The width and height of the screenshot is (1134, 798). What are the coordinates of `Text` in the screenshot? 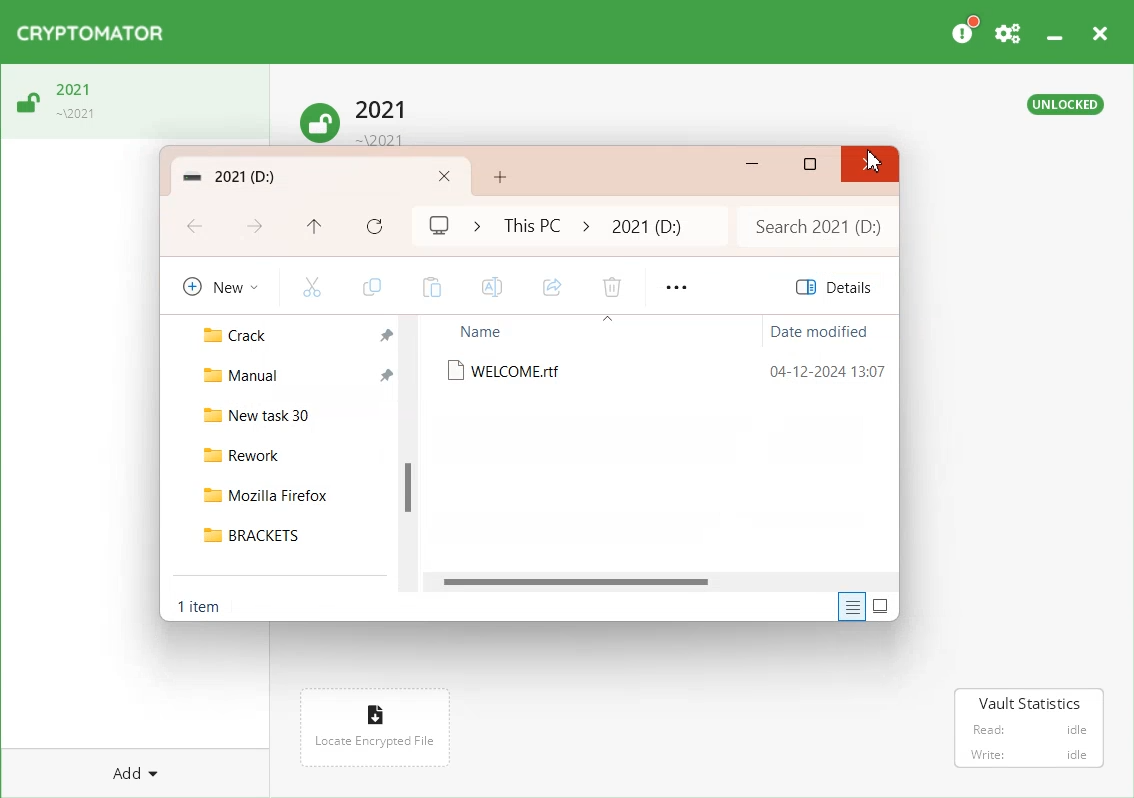 It's located at (198, 605).